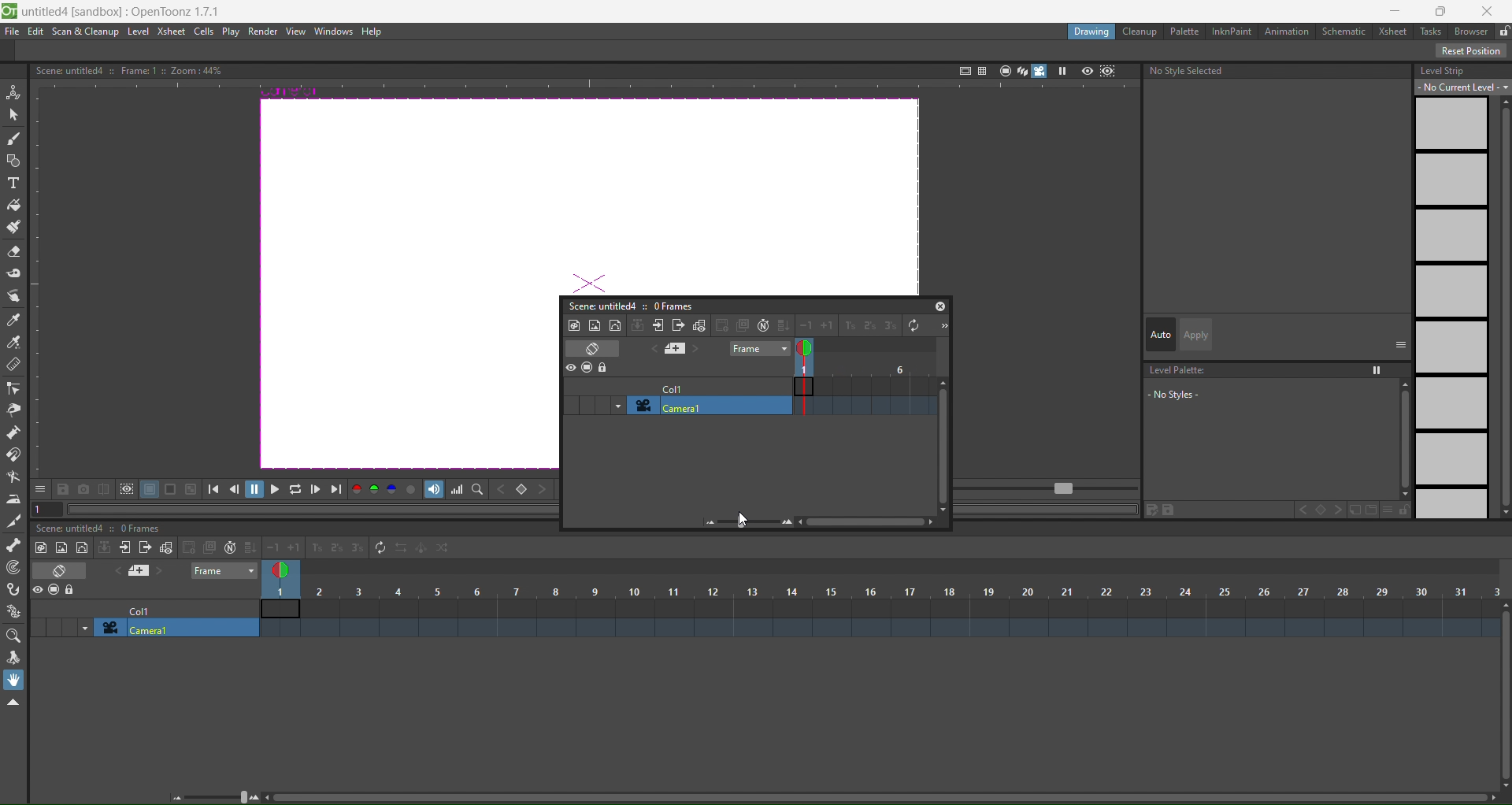 This screenshot has height=805, width=1512. What do you see at coordinates (876, 799) in the screenshot?
I see `scroll bar` at bounding box center [876, 799].